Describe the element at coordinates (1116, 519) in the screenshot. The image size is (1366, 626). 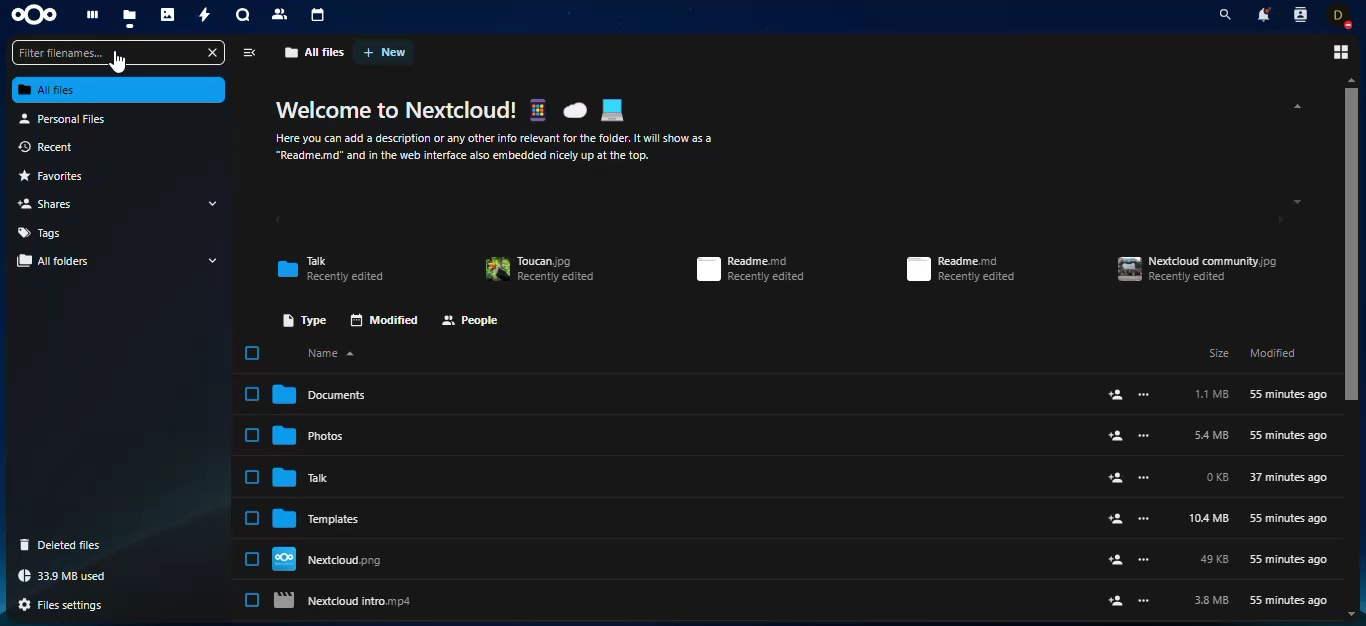
I see `add` at that location.